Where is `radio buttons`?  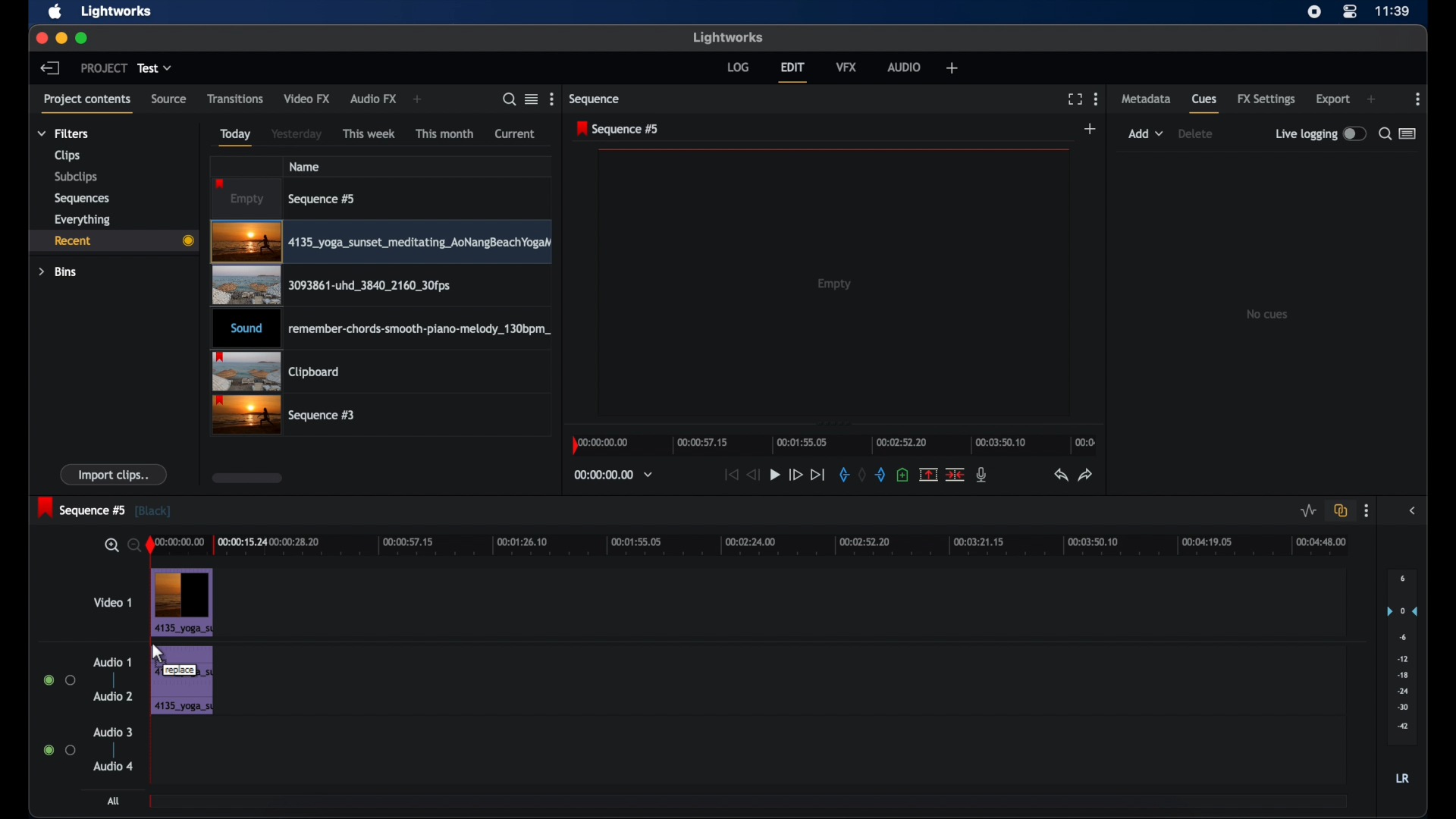
radio buttons is located at coordinates (59, 680).